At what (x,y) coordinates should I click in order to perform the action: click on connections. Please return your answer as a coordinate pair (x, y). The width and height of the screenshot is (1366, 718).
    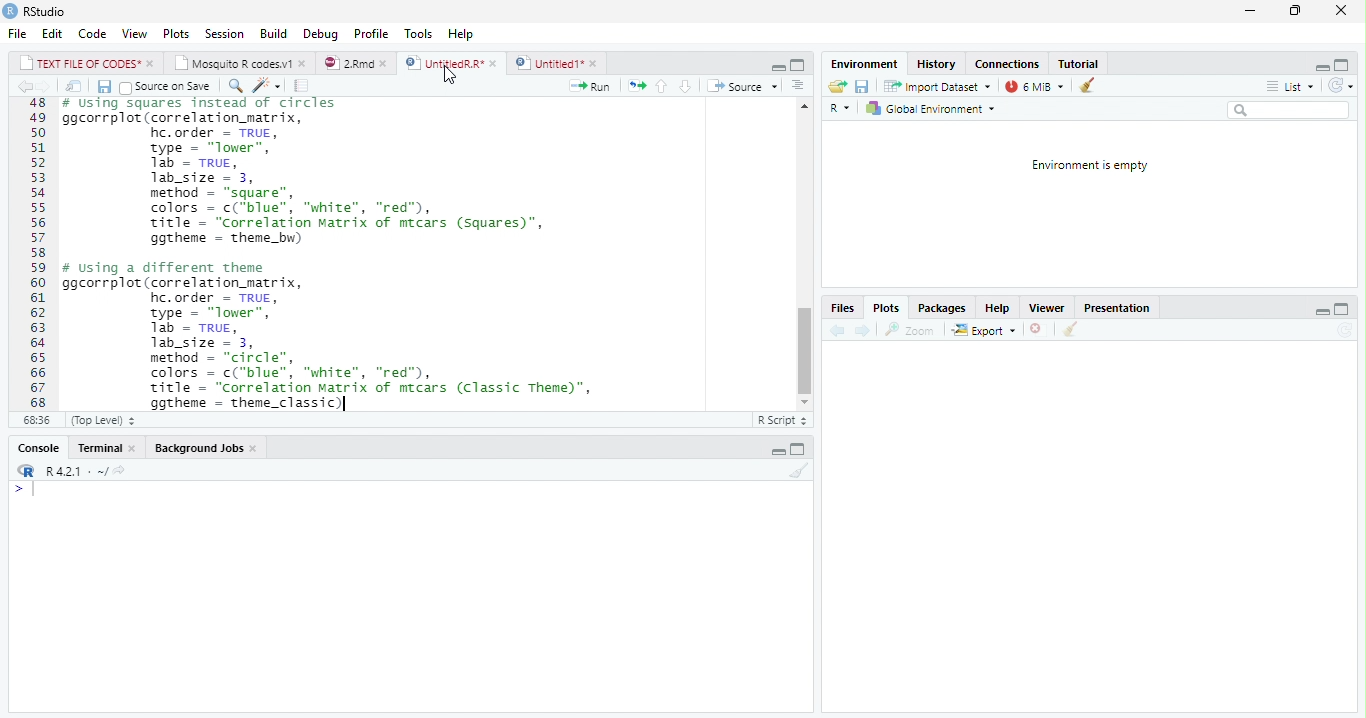
    Looking at the image, I should click on (1009, 64).